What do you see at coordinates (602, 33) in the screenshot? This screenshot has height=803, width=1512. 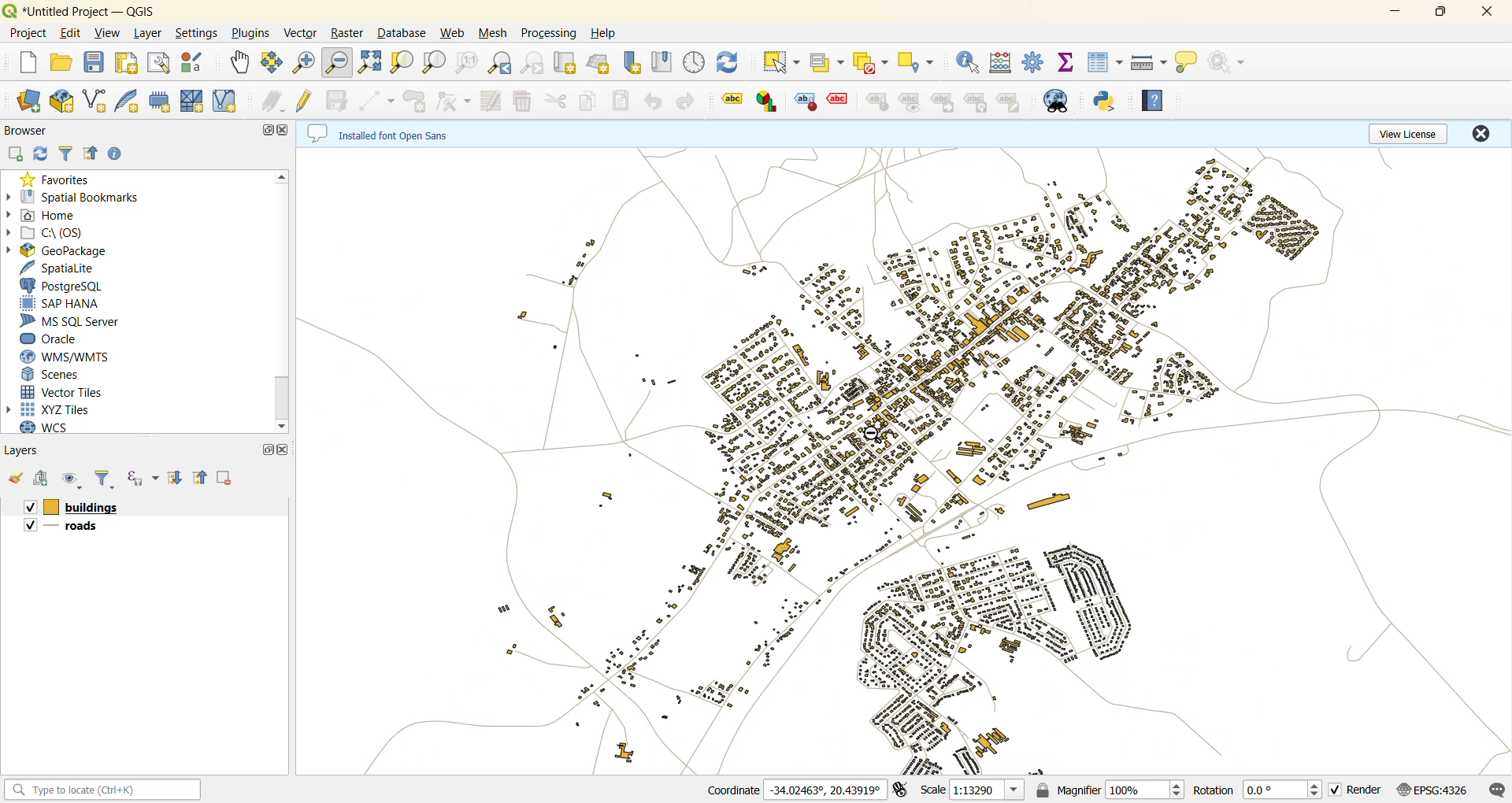 I see `help` at bounding box center [602, 33].